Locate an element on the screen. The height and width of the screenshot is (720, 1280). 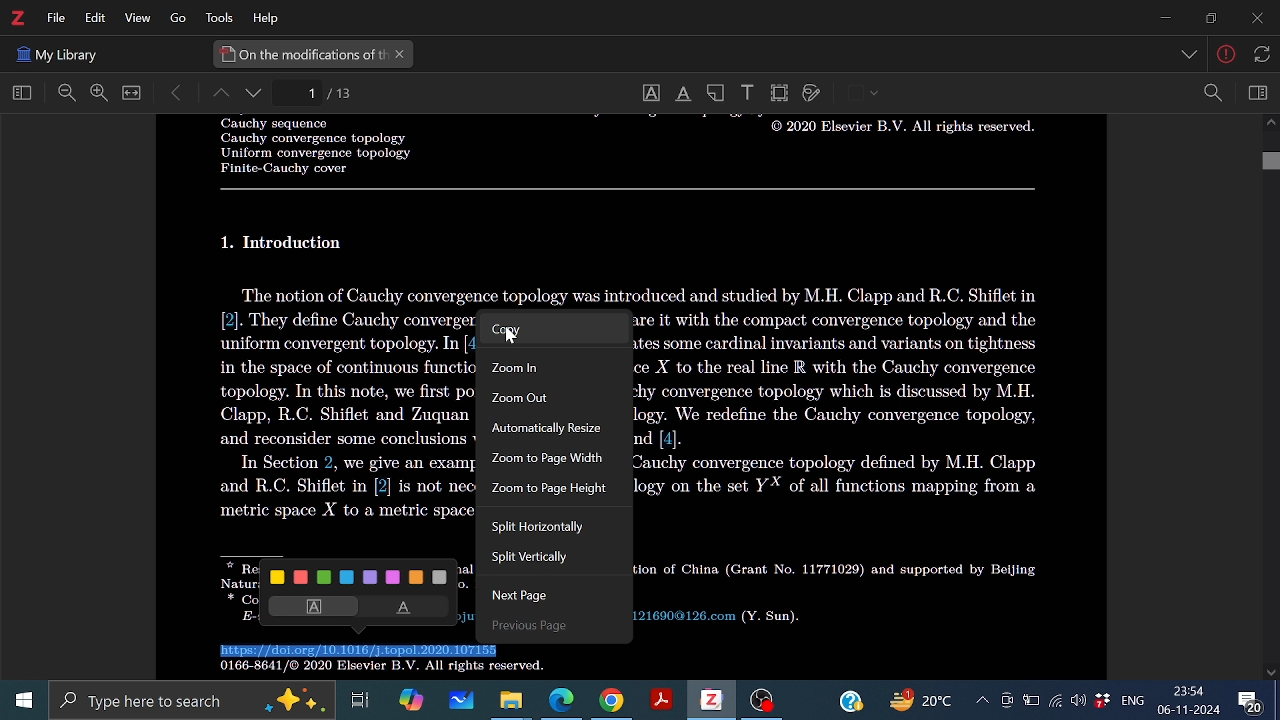
Vertical scrollbar is located at coordinates (1270, 163).